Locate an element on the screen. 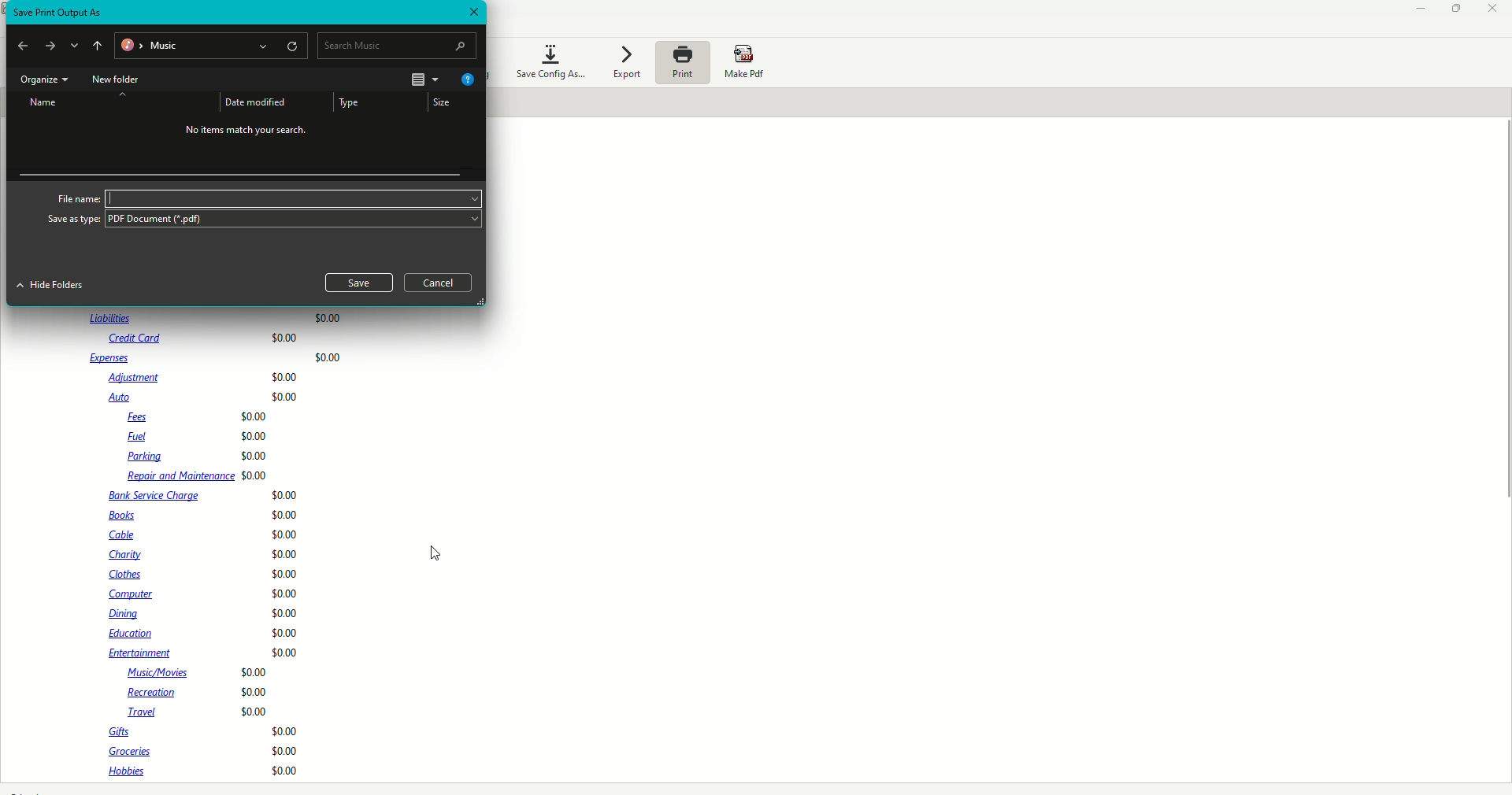  Save As is located at coordinates (58, 13).